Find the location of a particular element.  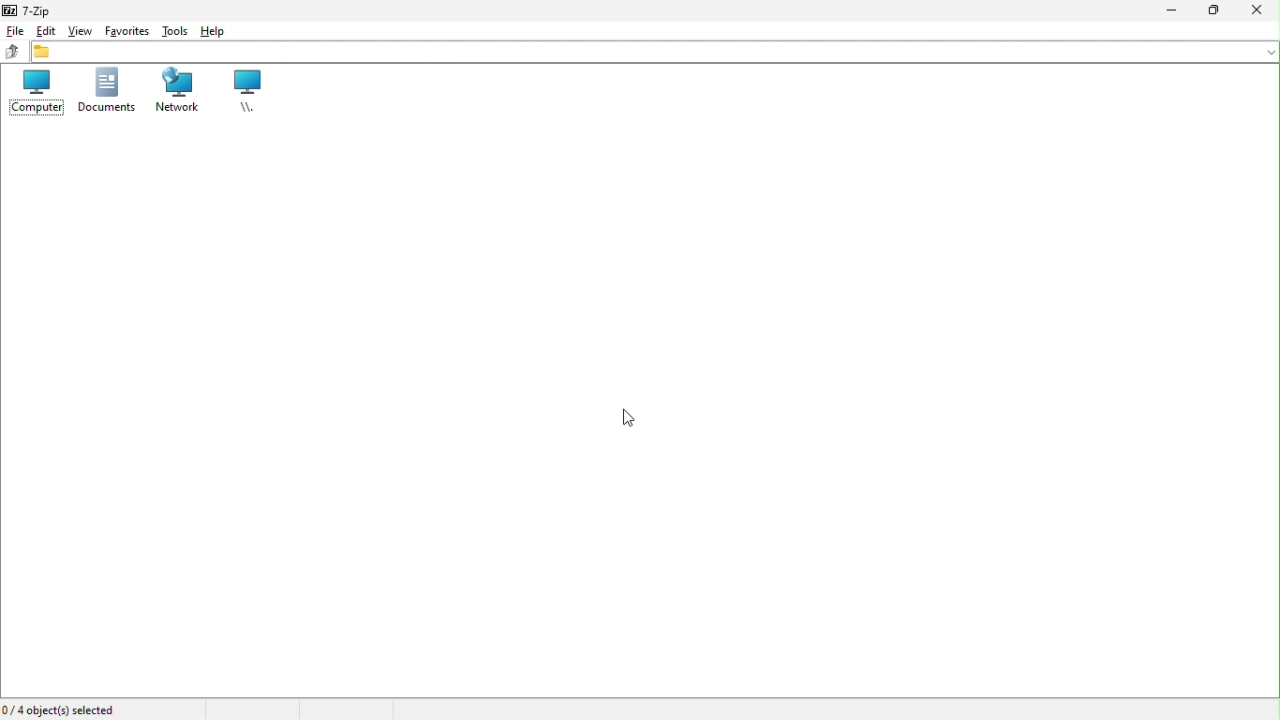

View is located at coordinates (79, 28).